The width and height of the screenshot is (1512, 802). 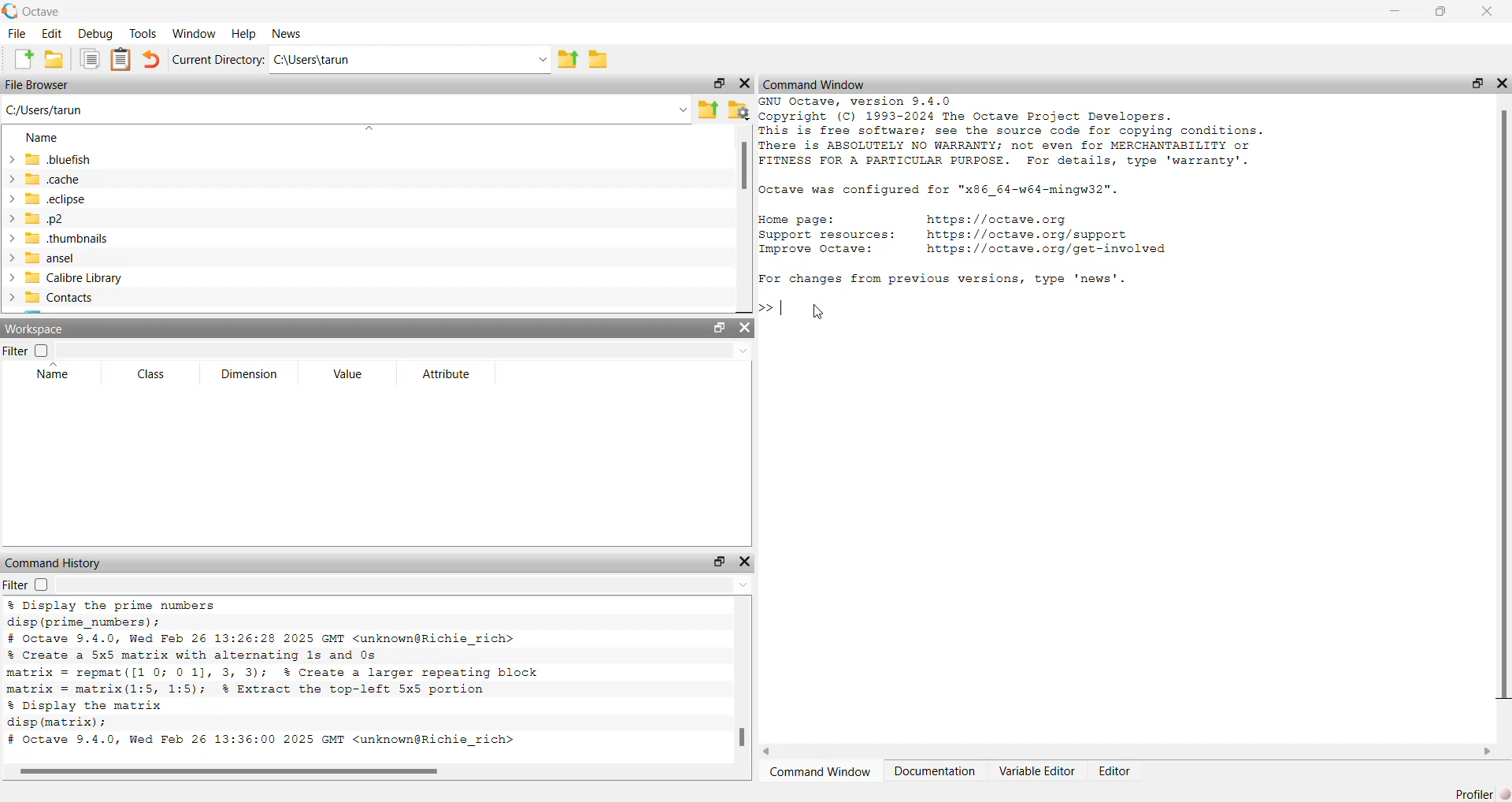 I want to click on code to display matrix, so click(x=90, y=715).